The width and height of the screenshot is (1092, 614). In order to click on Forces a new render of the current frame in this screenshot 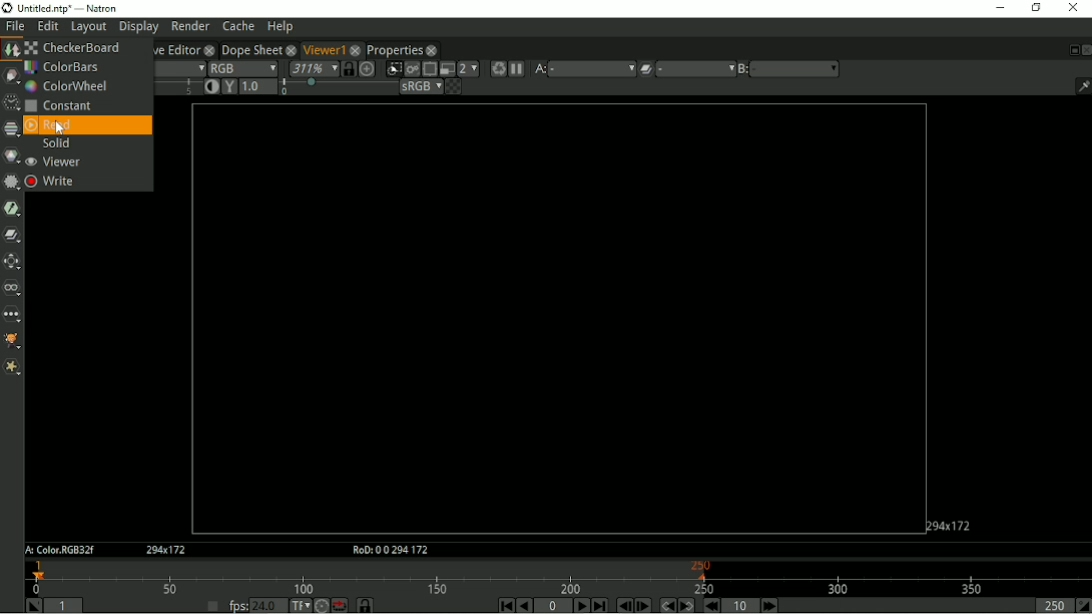, I will do `click(497, 68)`.